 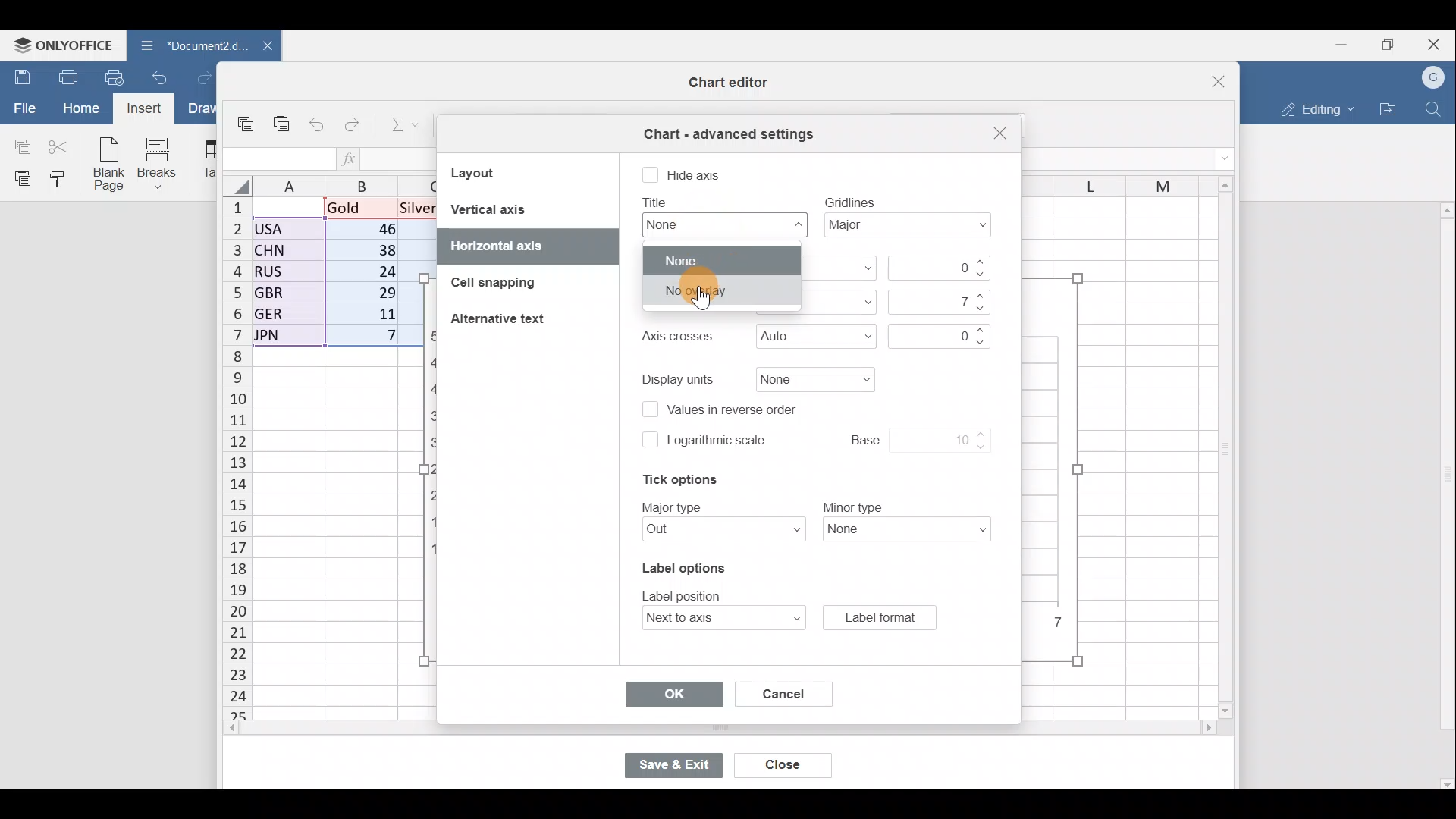 What do you see at coordinates (1386, 45) in the screenshot?
I see `Maximize` at bounding box center [1386, 45].